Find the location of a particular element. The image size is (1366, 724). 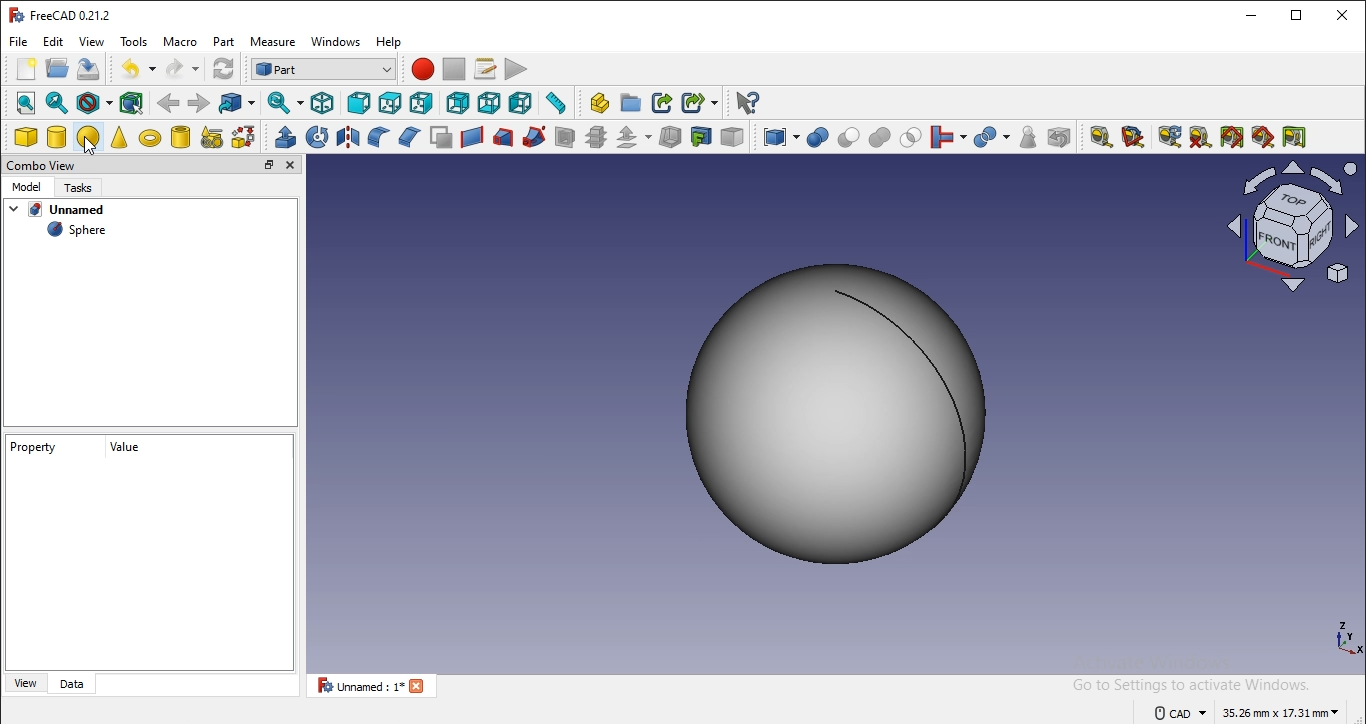

mirroring is located at coordinates (346, 135).